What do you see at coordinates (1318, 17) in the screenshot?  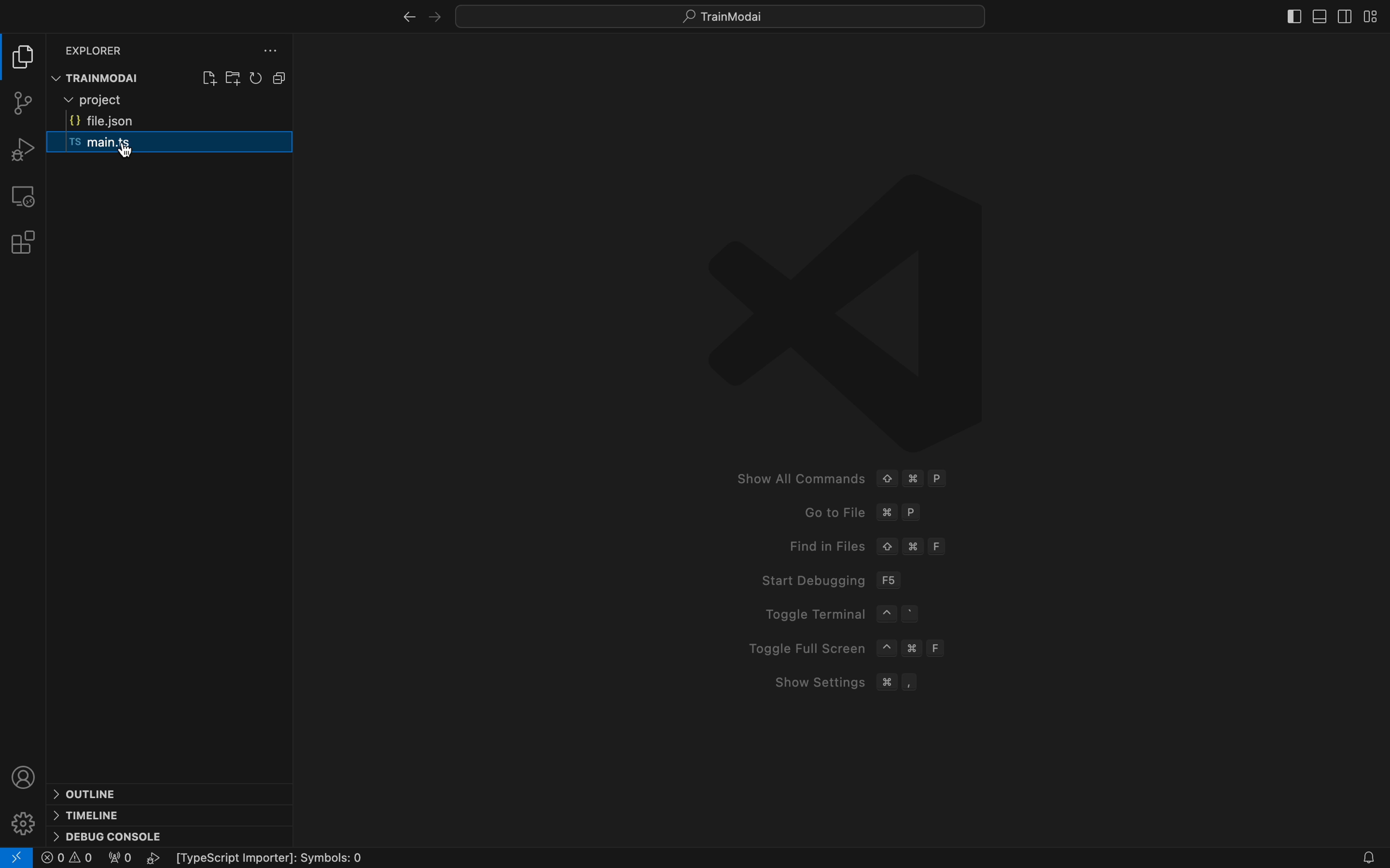 I see `toggle primary` at bounding box center [1318, 17].